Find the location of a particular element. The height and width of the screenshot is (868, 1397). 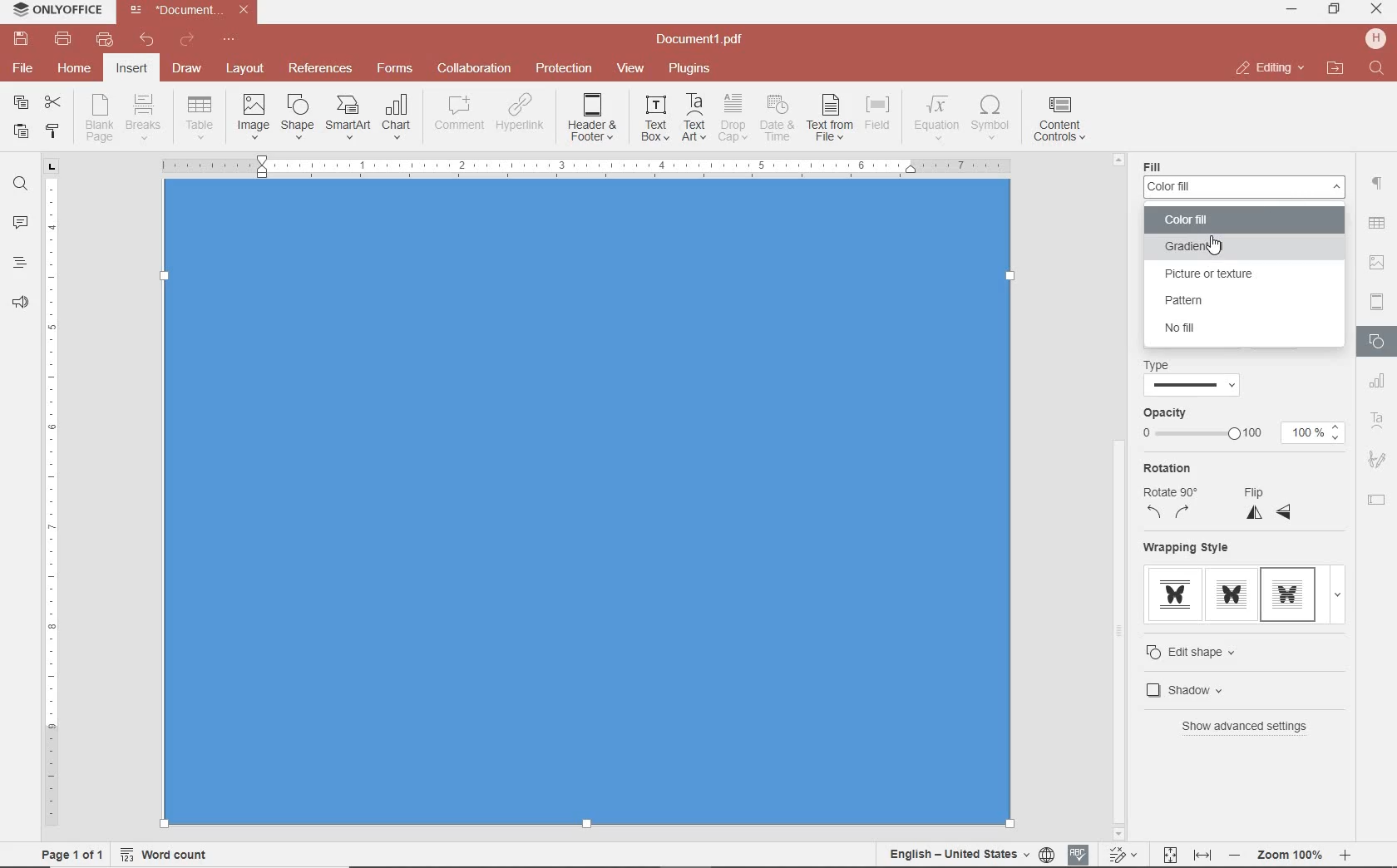

HEADERS & FOOTERS is located at coordinates (1378, 303).